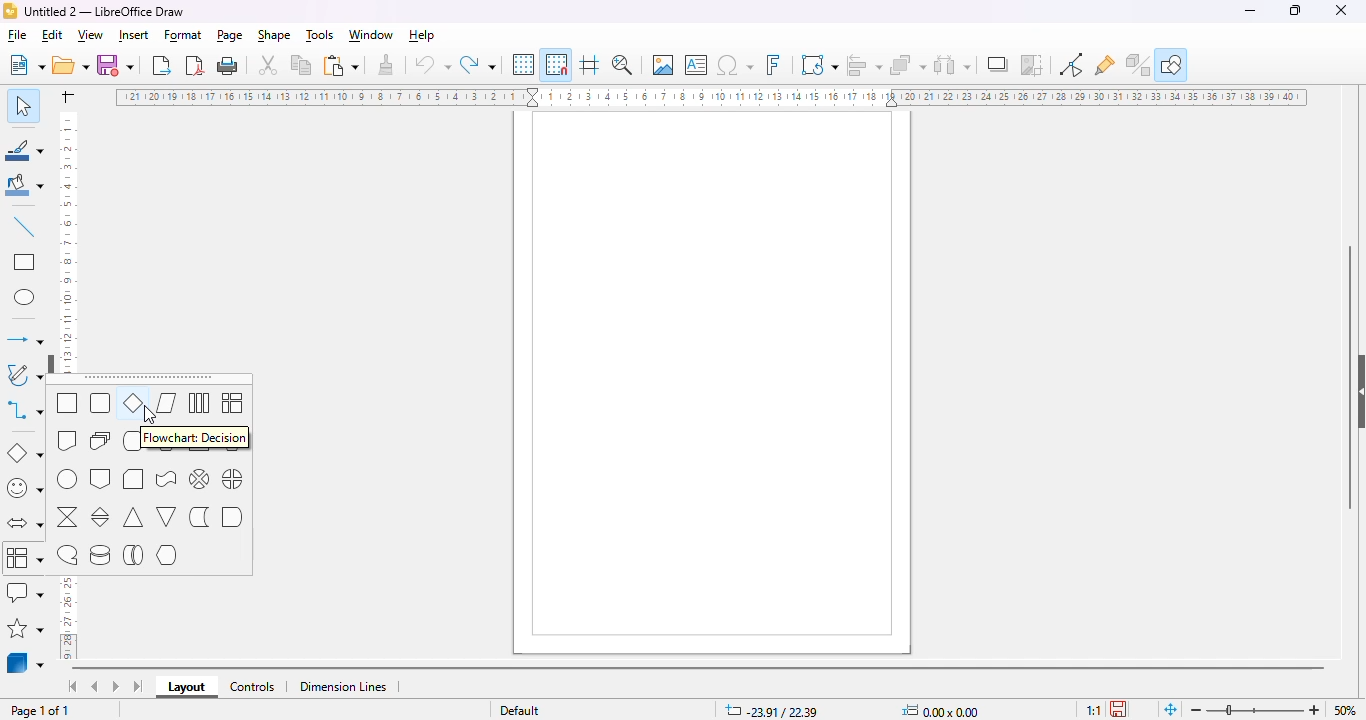 This screenshot has width=1366, height=720. I want to click on insert, so click(134, 35).